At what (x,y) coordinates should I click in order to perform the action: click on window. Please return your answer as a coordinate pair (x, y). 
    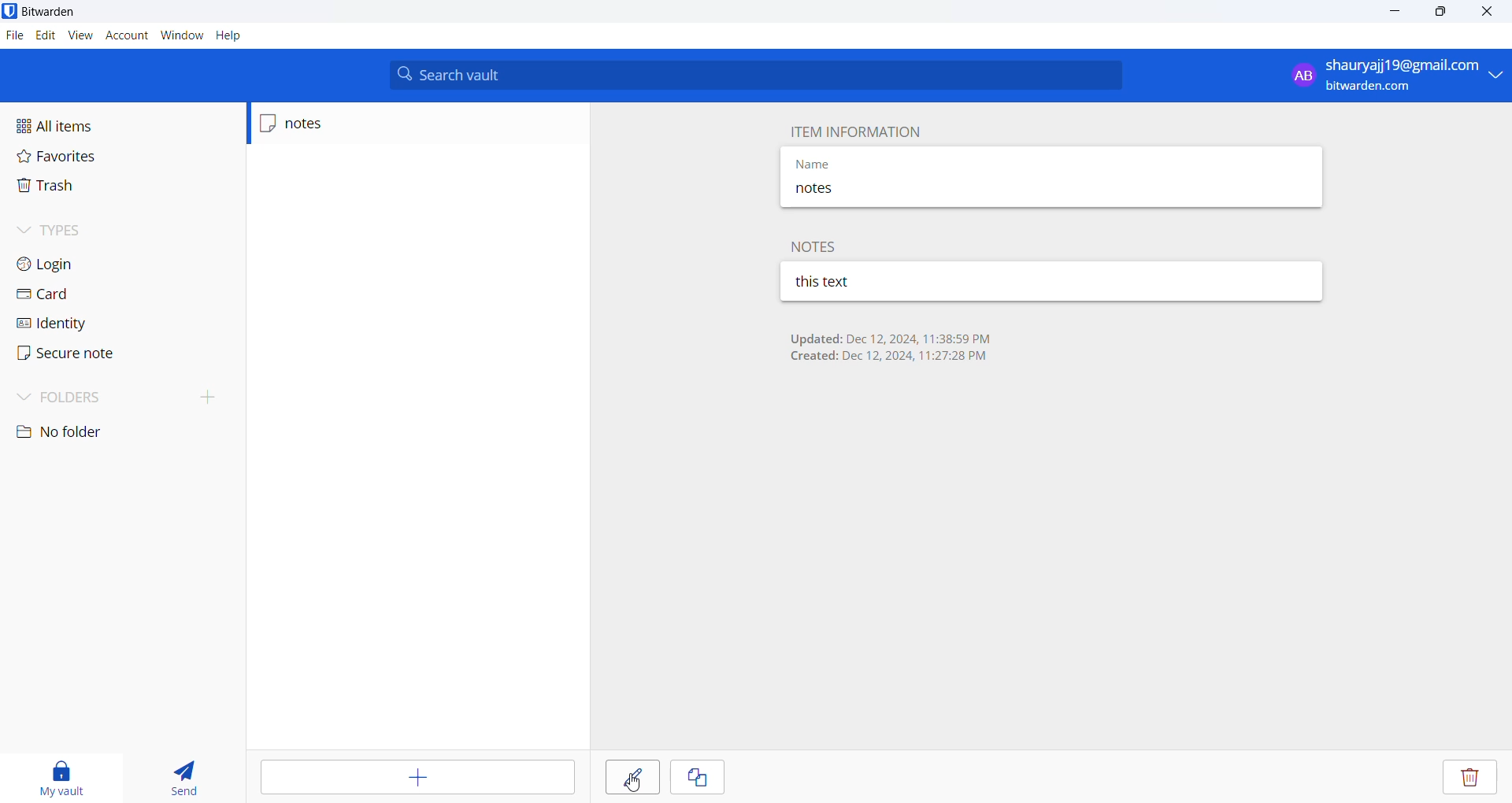
    Looking at the image, I should click on (179, 37).